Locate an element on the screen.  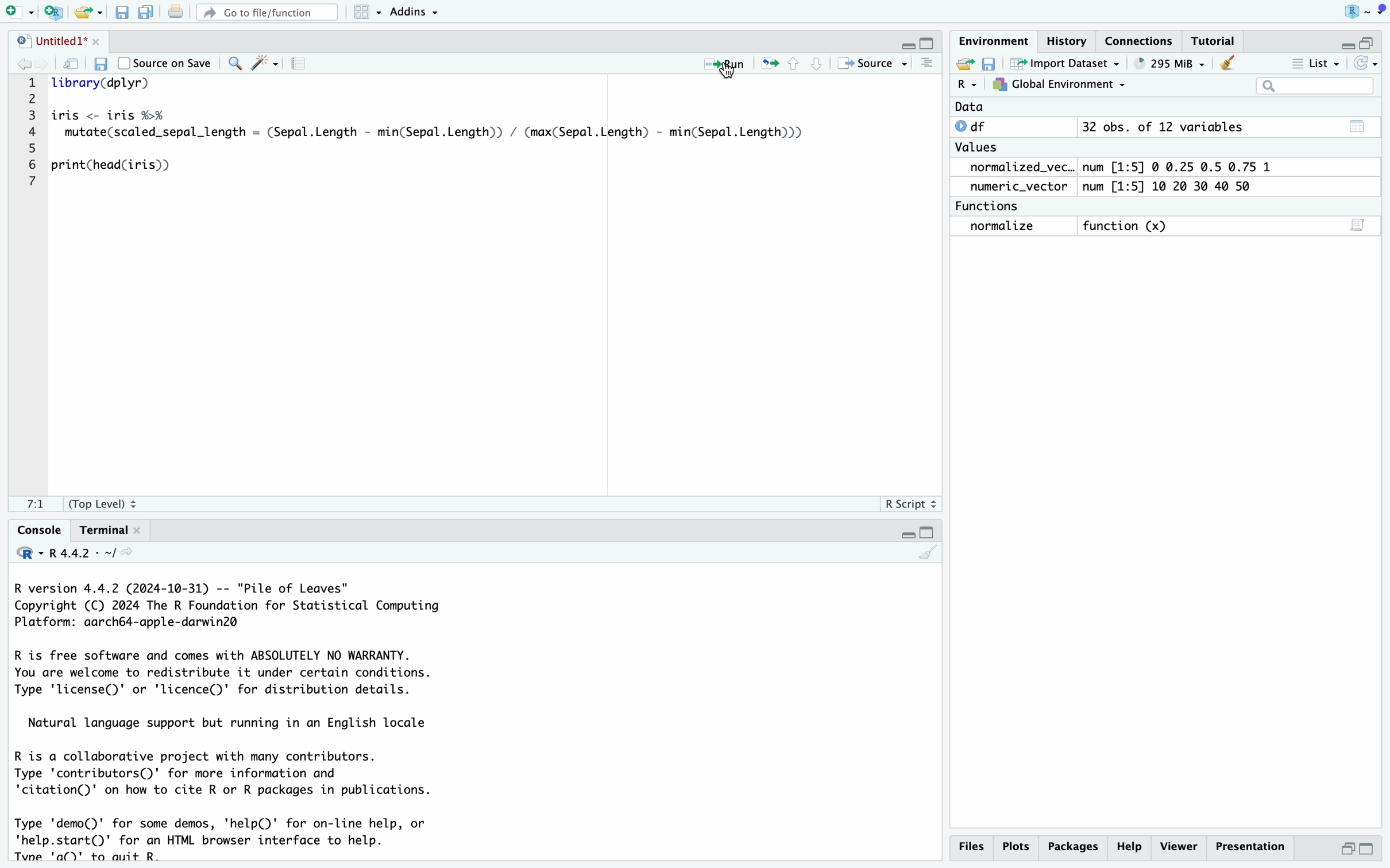
History is located at coordinates (1068, 44).